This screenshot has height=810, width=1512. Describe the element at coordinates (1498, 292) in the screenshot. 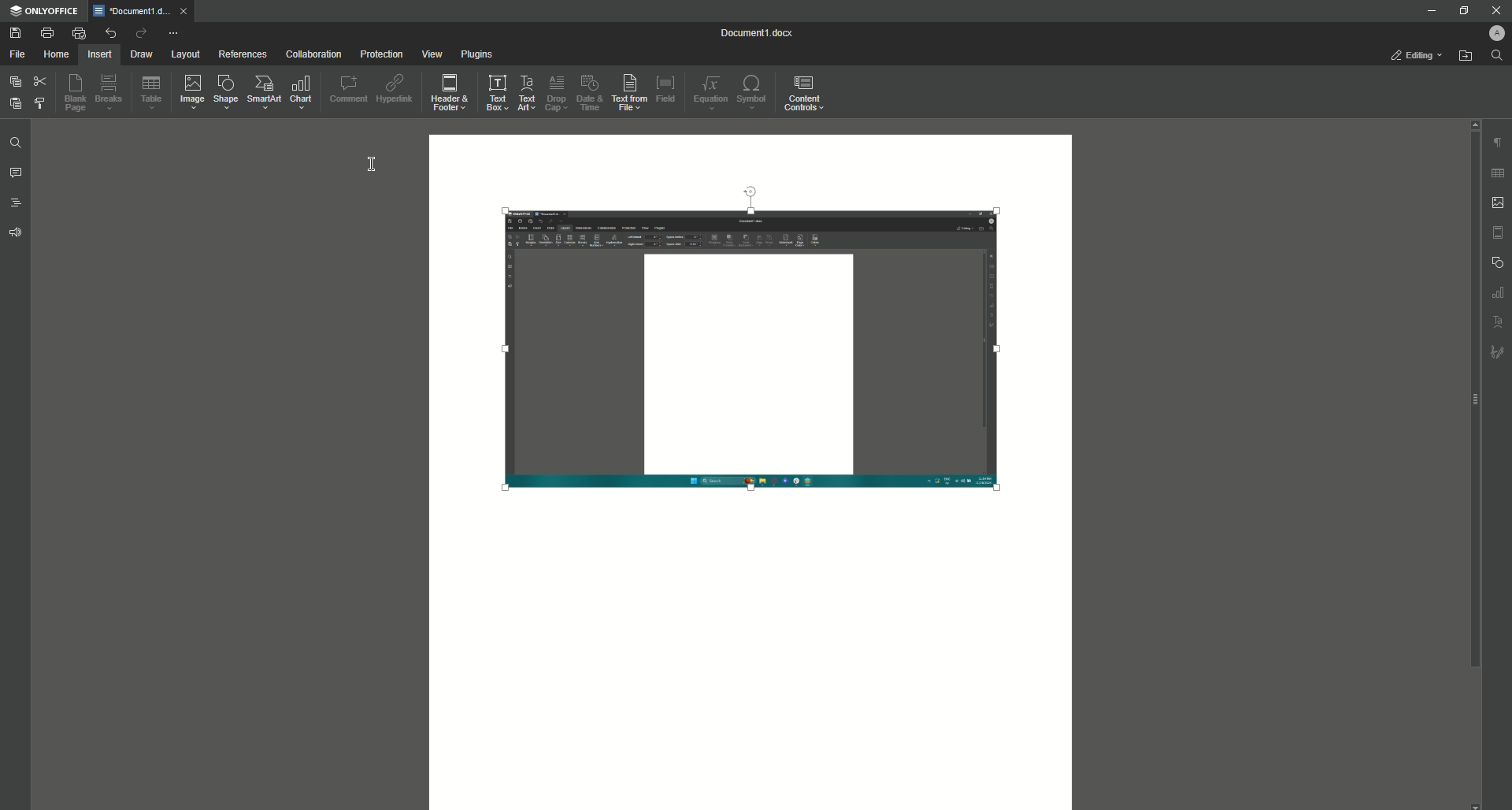

I see `Graph Settings` at that location.